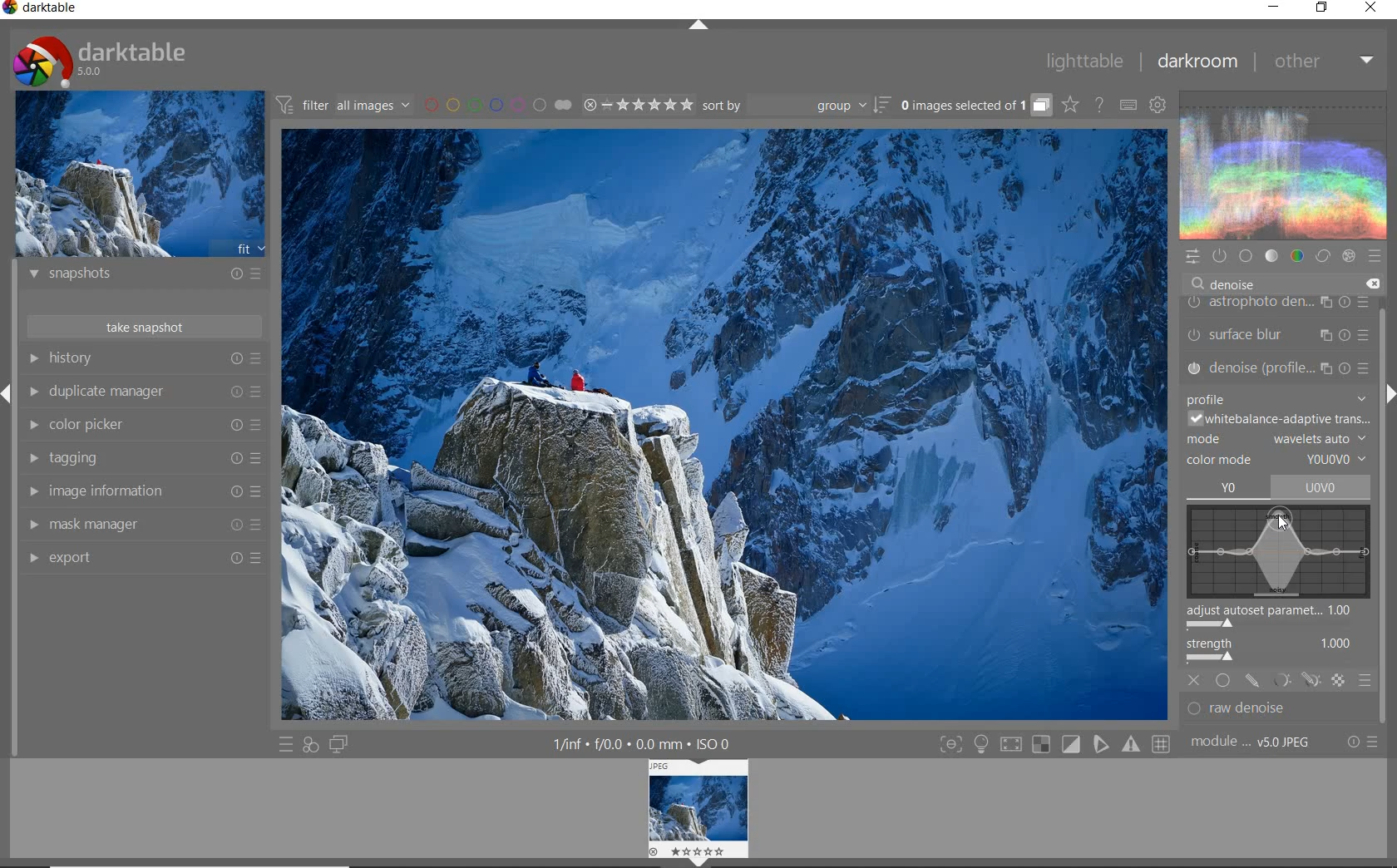  What do you see at coordinates (1069, 106) in the screenshot?
I see `click to change overlays on thumbnails` at bounding box center [1069, 106].